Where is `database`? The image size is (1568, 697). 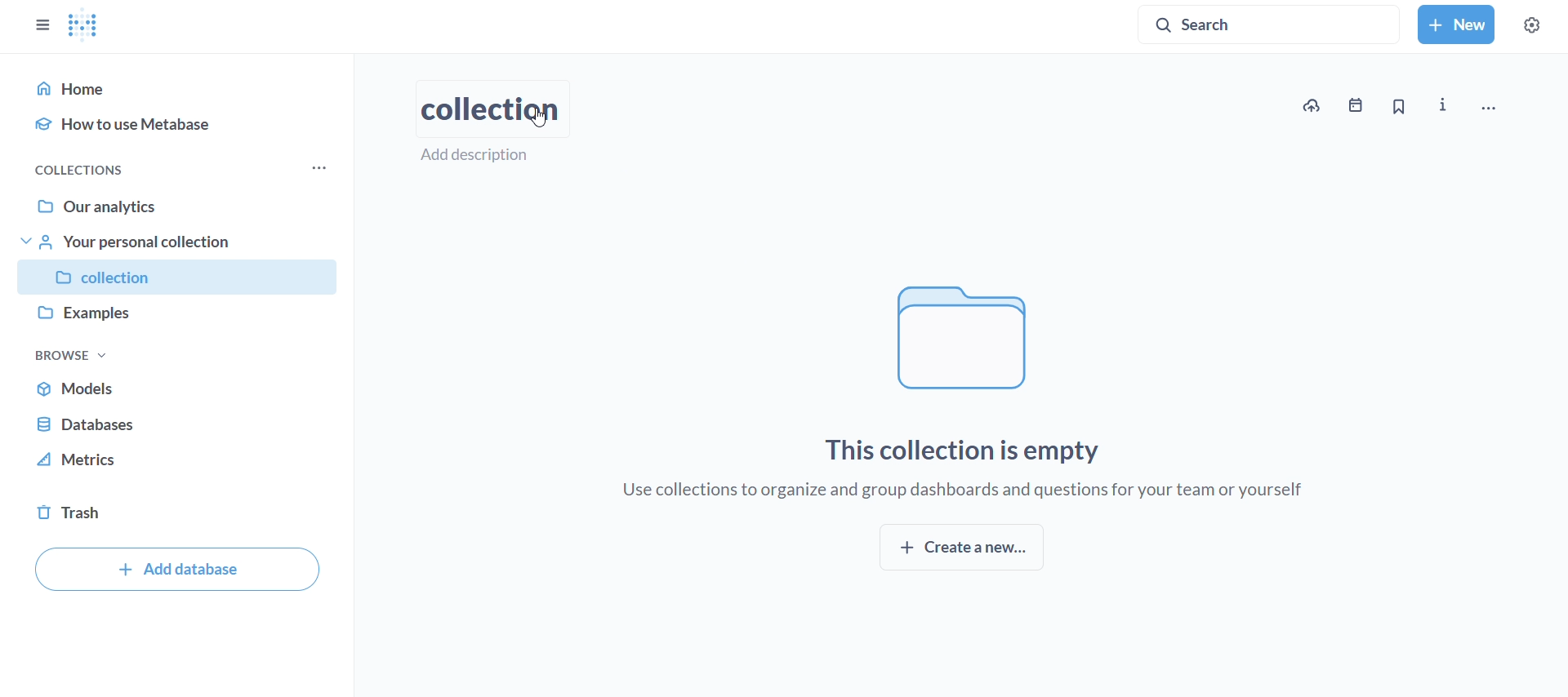 database is located at coordinates (178, 420).